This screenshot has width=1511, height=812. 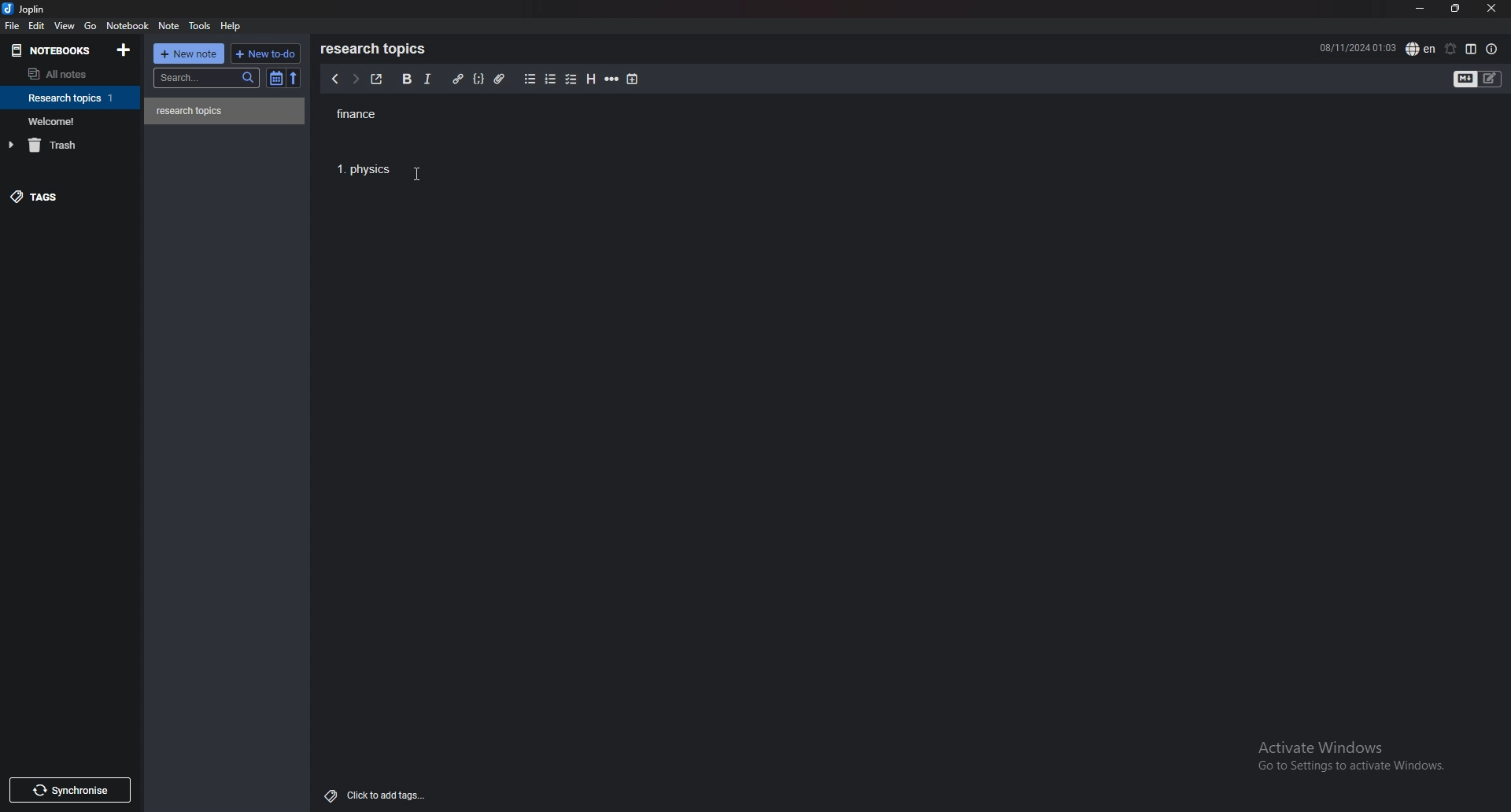 I want to click on 08/11/2024 01:02, so click(x=1357, y=47).